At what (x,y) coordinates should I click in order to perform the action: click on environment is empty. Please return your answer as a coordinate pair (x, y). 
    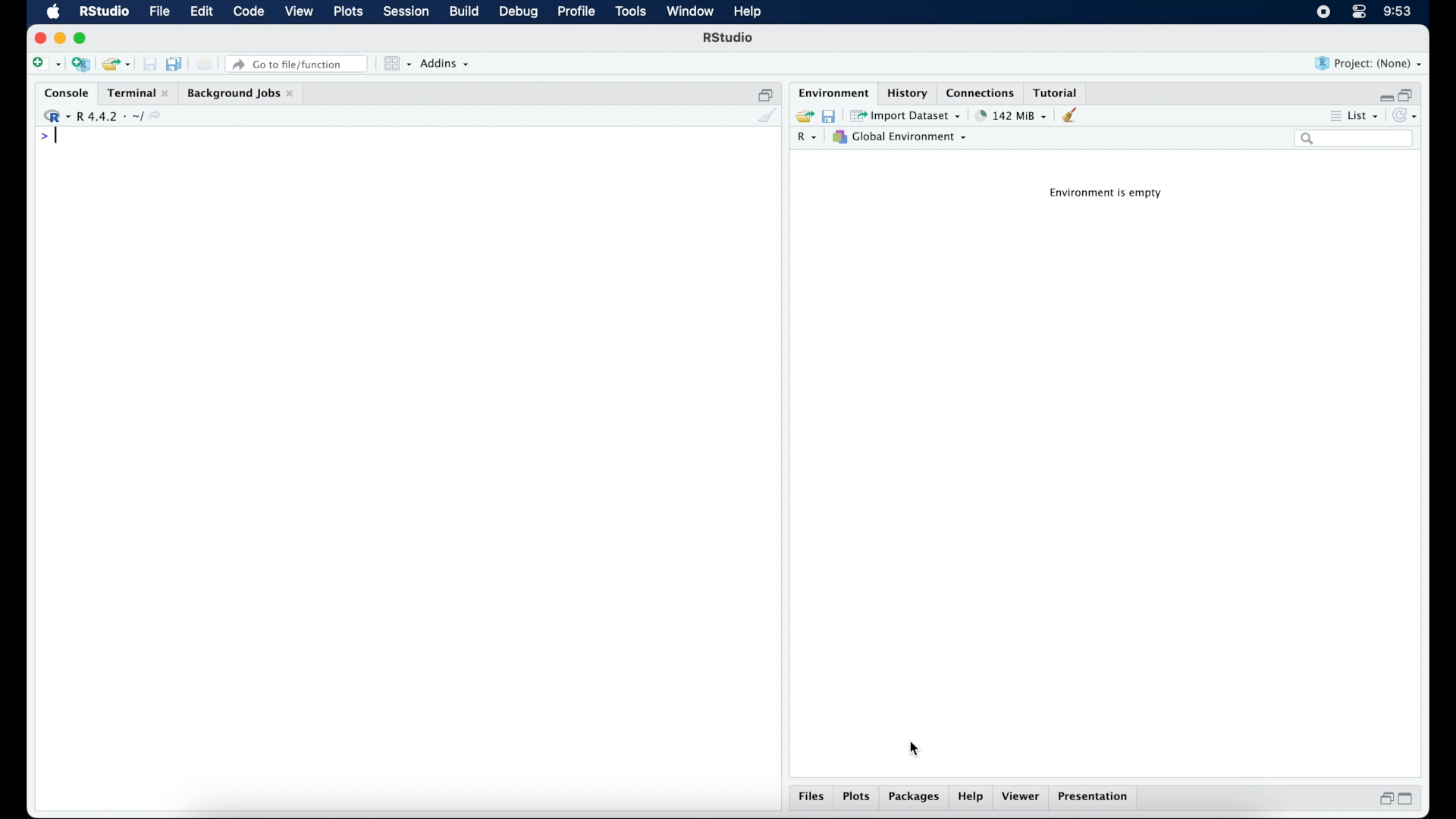
    Looking at the image, I should click on (1109, 195).